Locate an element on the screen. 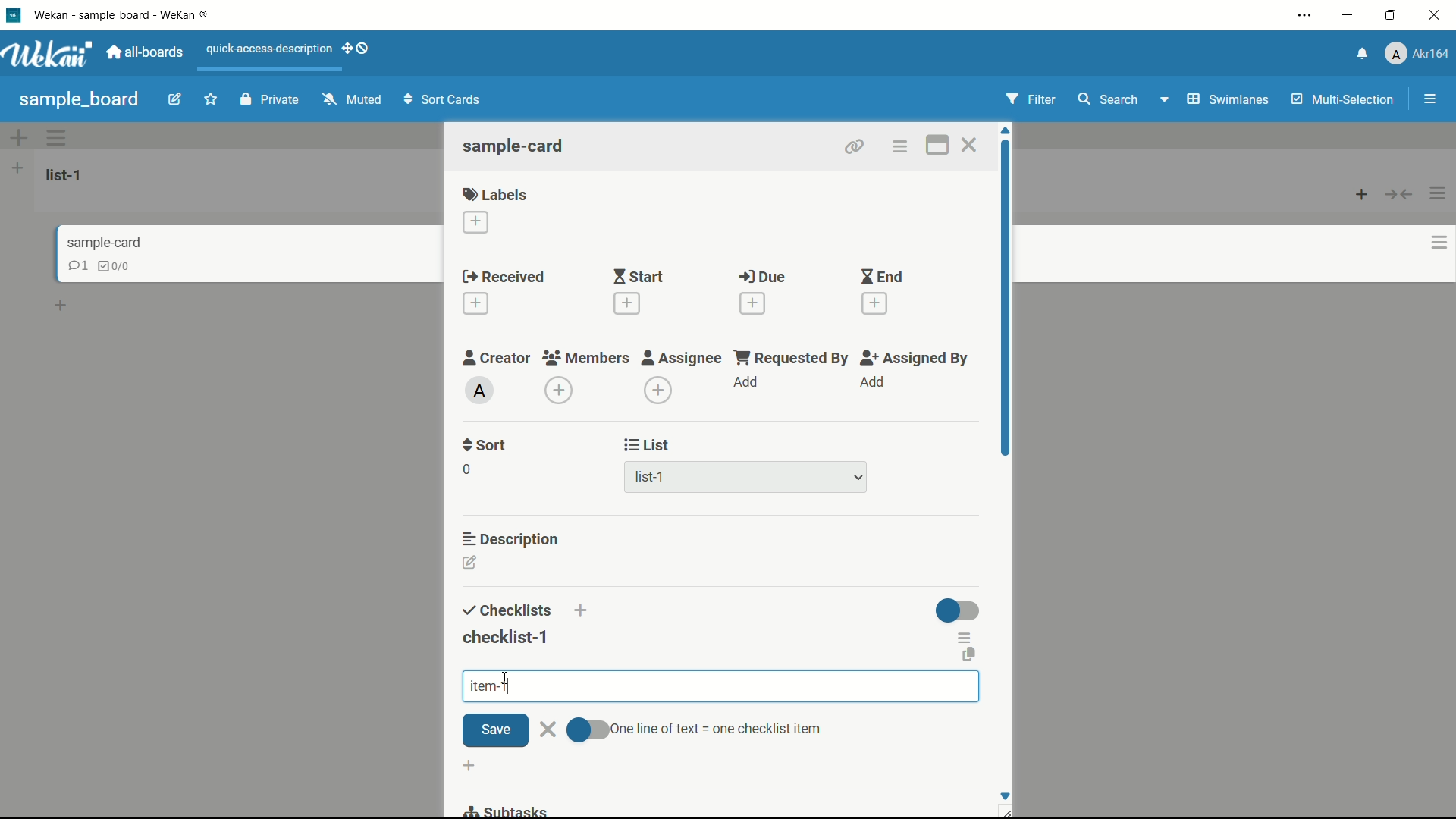  search is located at coordinates (1109, 98).